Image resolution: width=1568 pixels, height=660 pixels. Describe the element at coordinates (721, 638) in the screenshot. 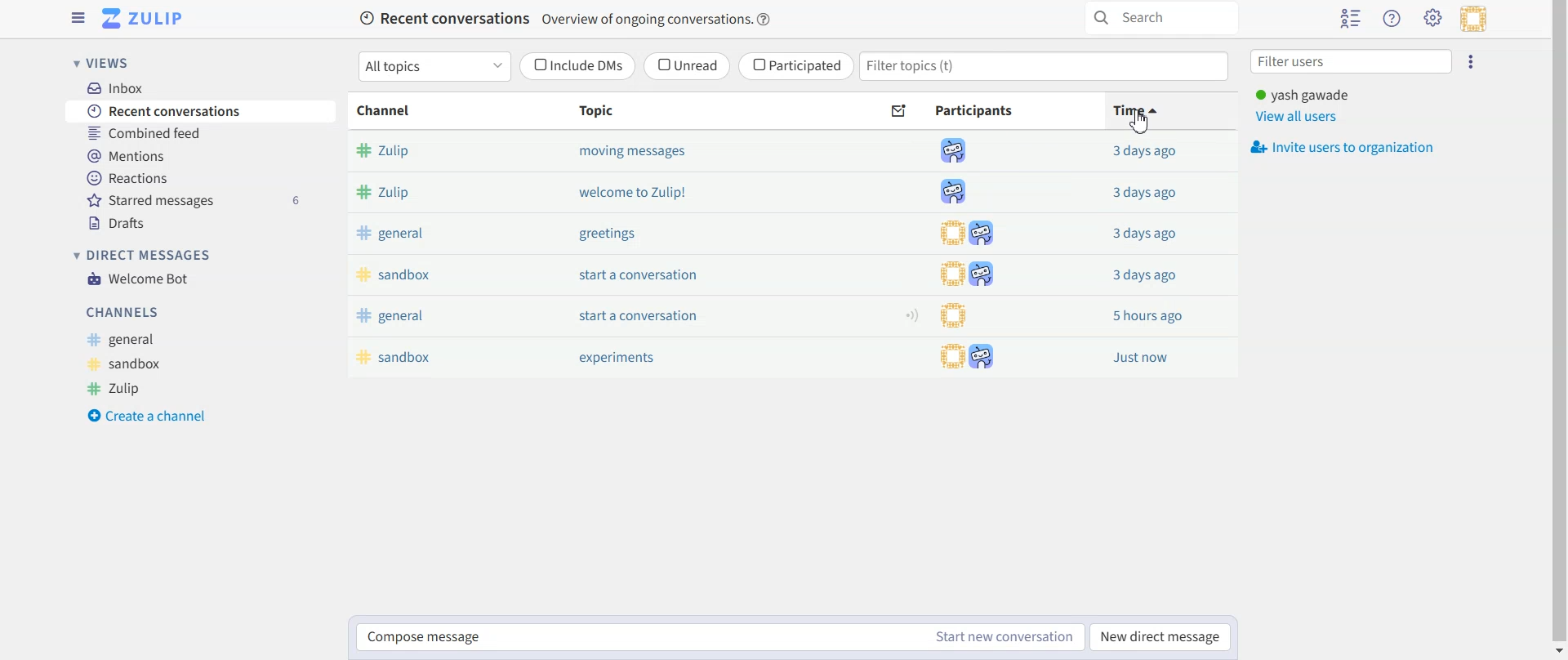

I see `Compose message Start new conversation` at that location.